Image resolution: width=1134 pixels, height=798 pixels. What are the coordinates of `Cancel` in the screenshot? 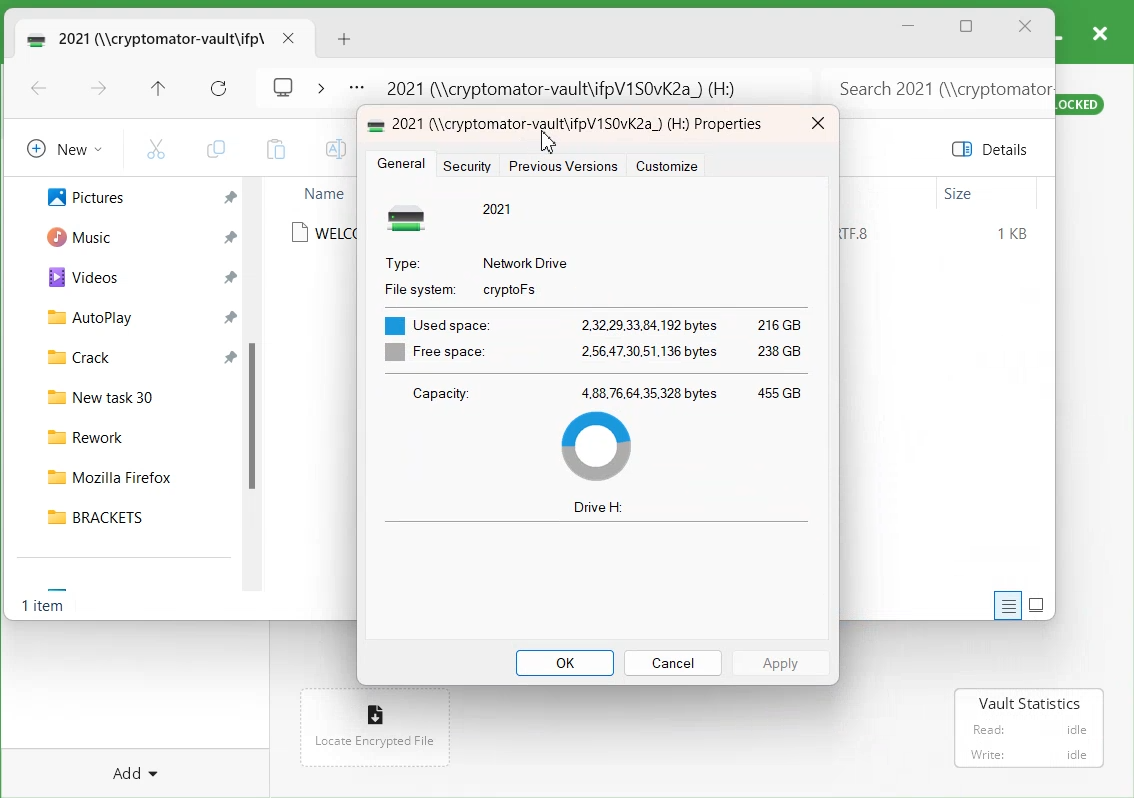 It's located at (672, 662).